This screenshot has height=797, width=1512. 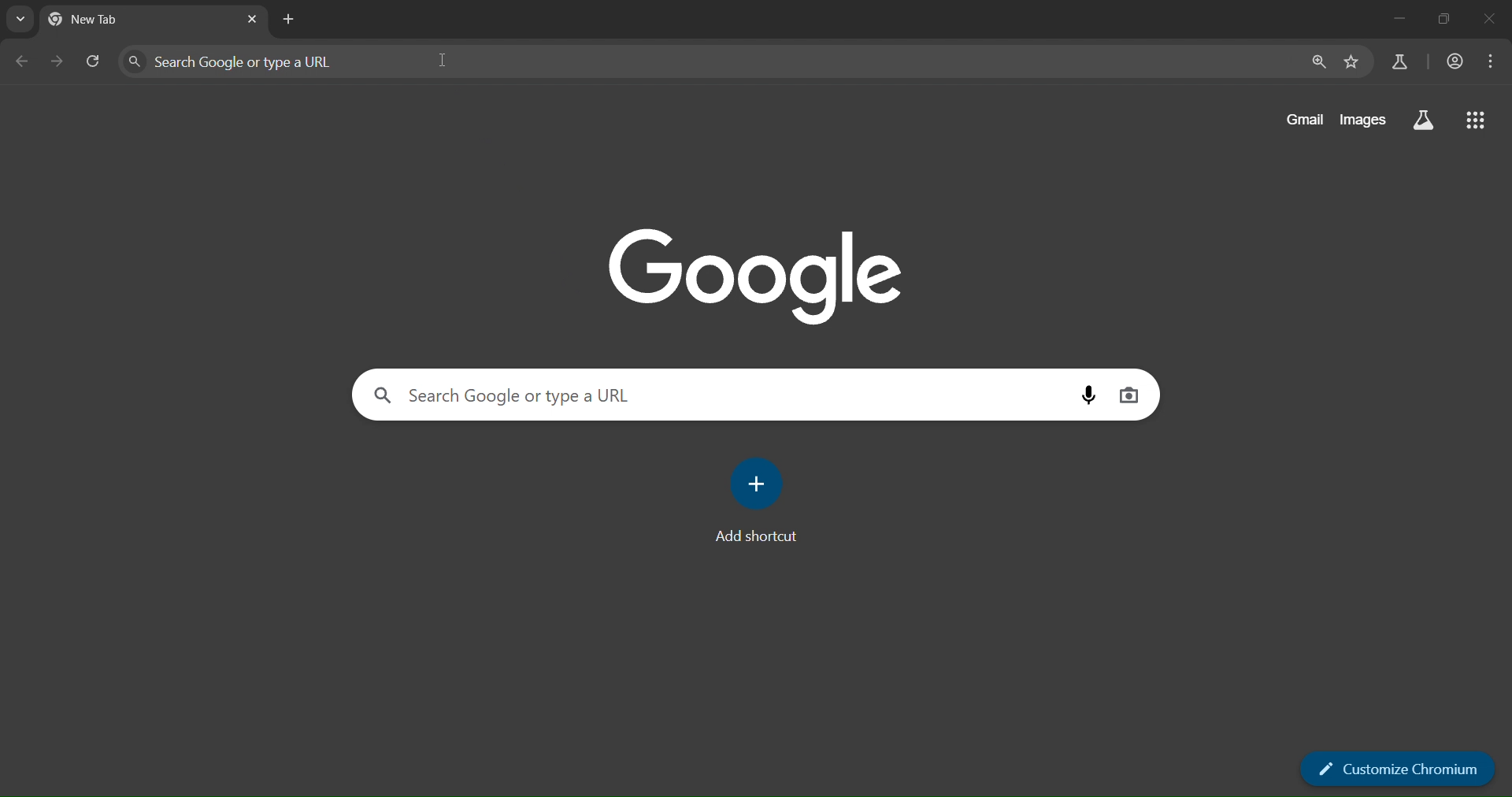 I want to click on google, so click(x=755, y=277).